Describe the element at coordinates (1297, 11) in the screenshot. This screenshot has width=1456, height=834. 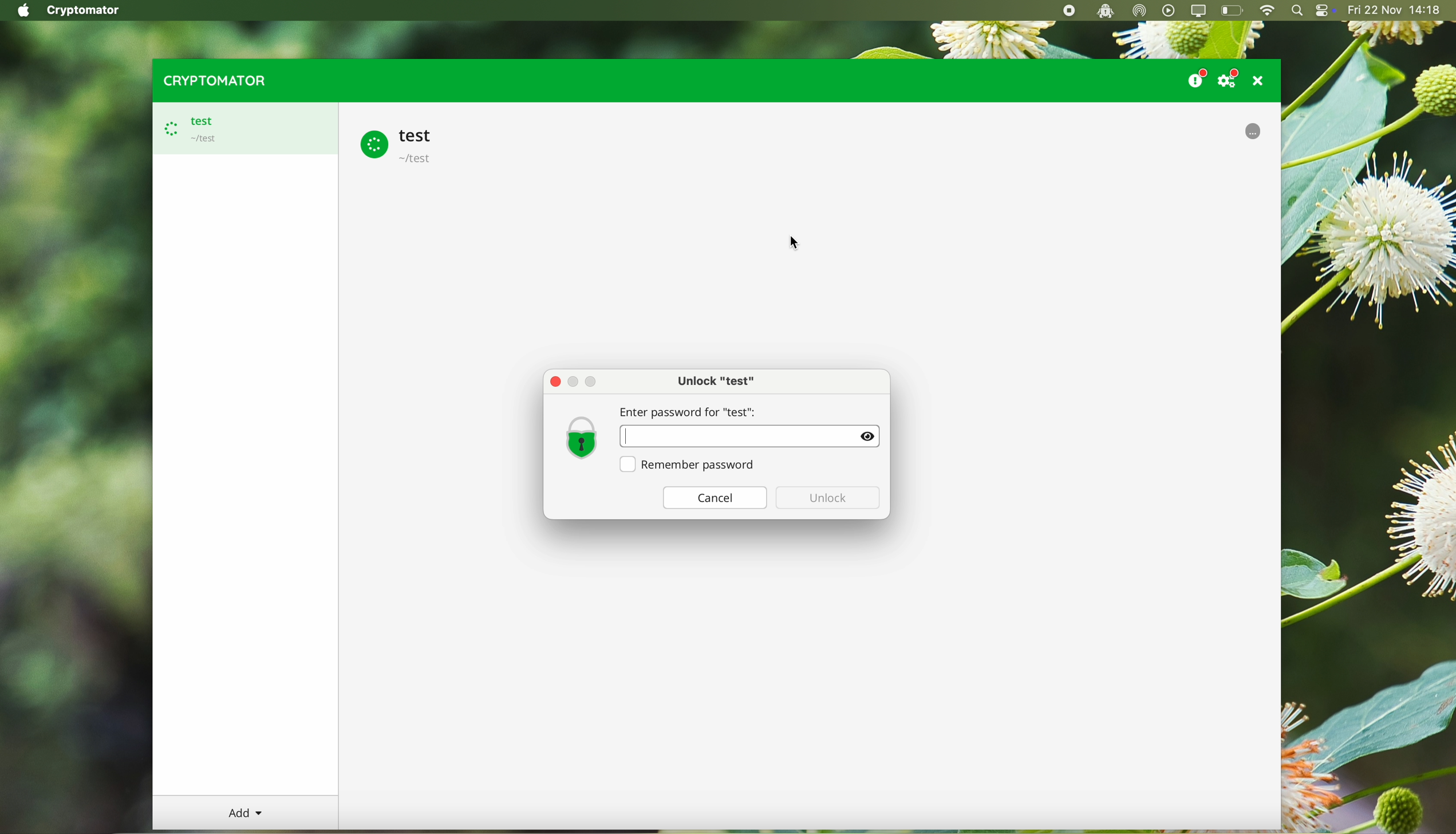
I see `spotlight search` at that location.